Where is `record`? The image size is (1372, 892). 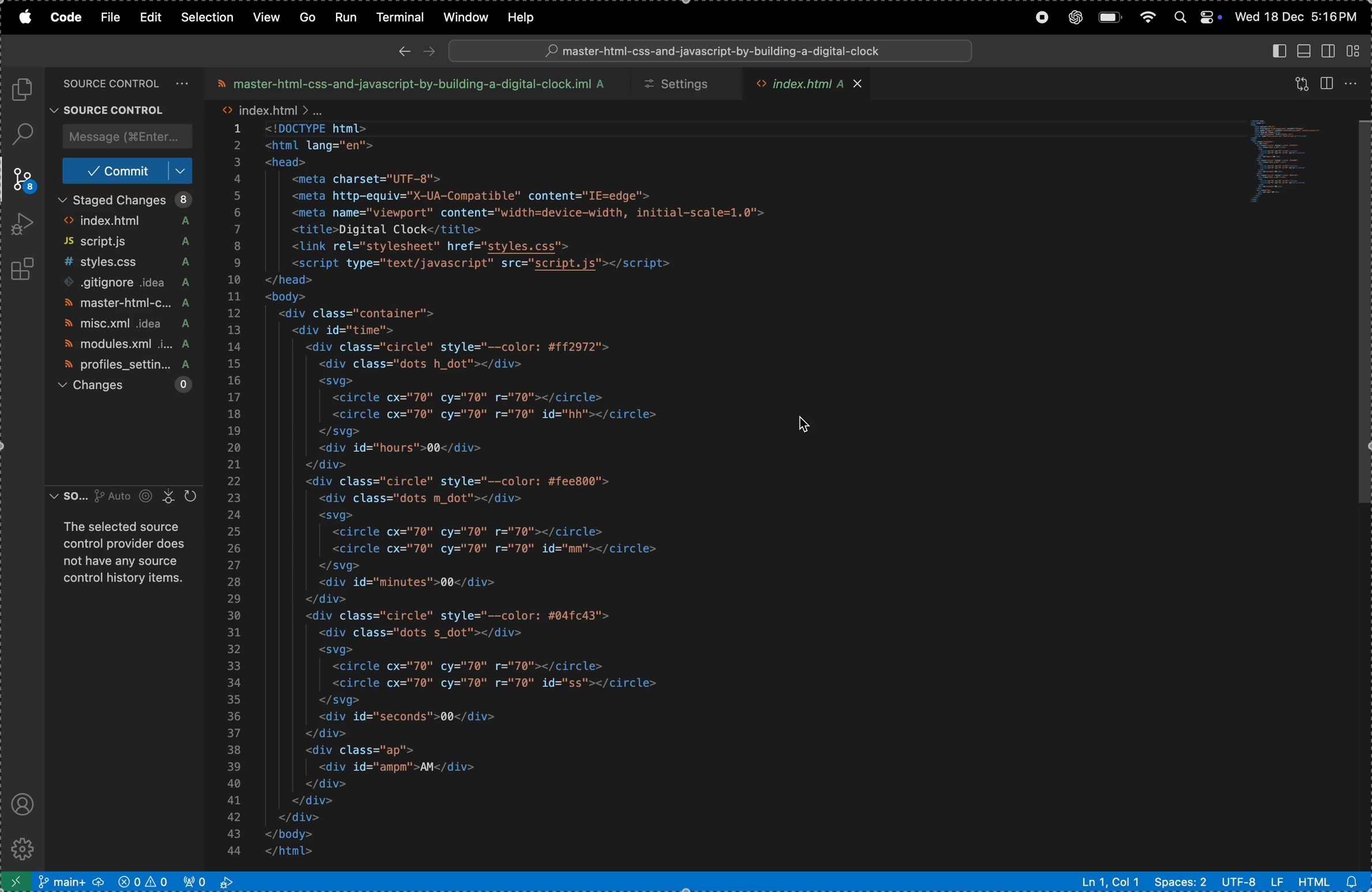
record is located at coordinates (1041, 18).